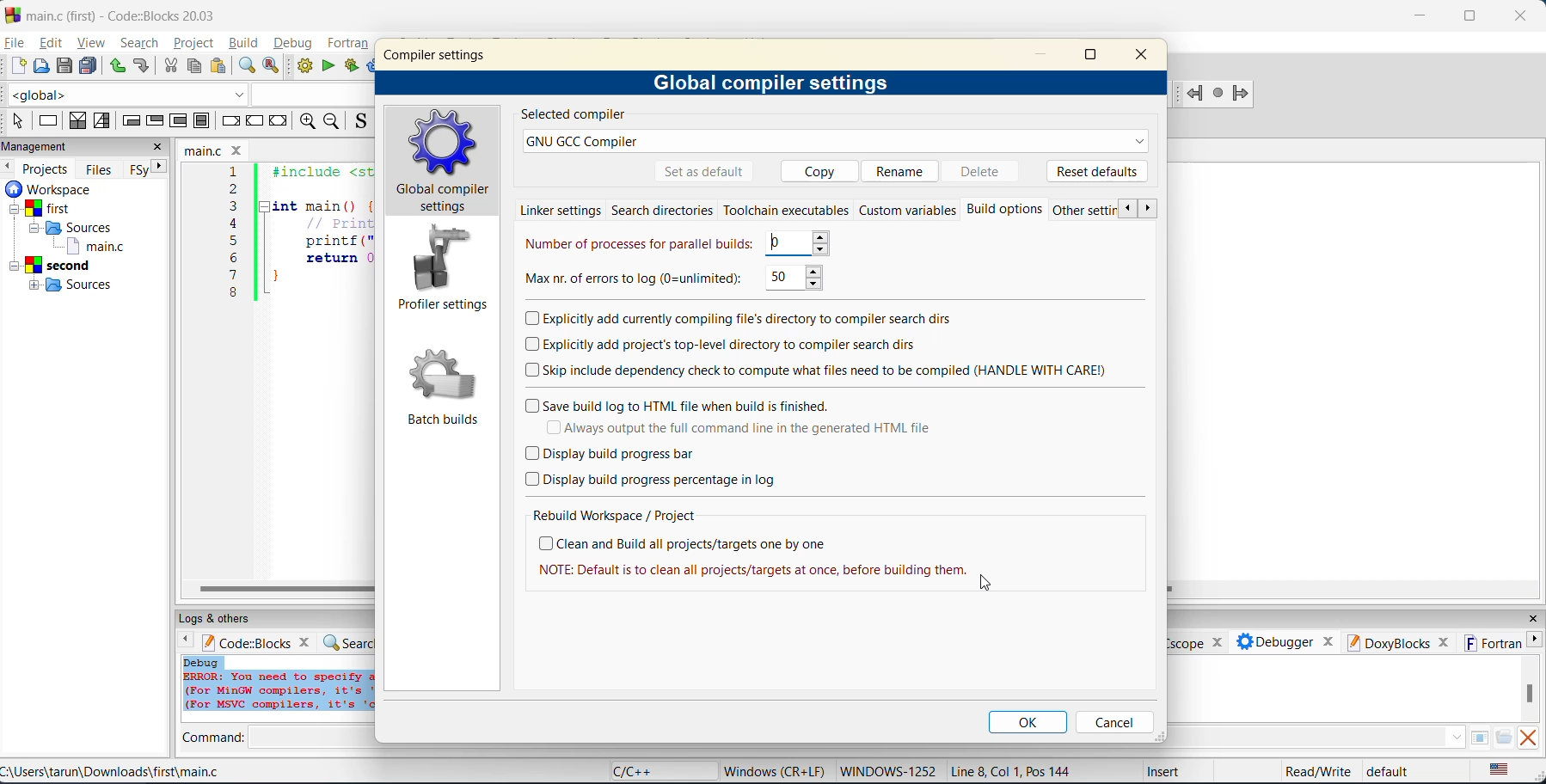  What do you see at coordinates (106, 122) in the screenshot?
I see `selection` at bounding box center [106, 122].